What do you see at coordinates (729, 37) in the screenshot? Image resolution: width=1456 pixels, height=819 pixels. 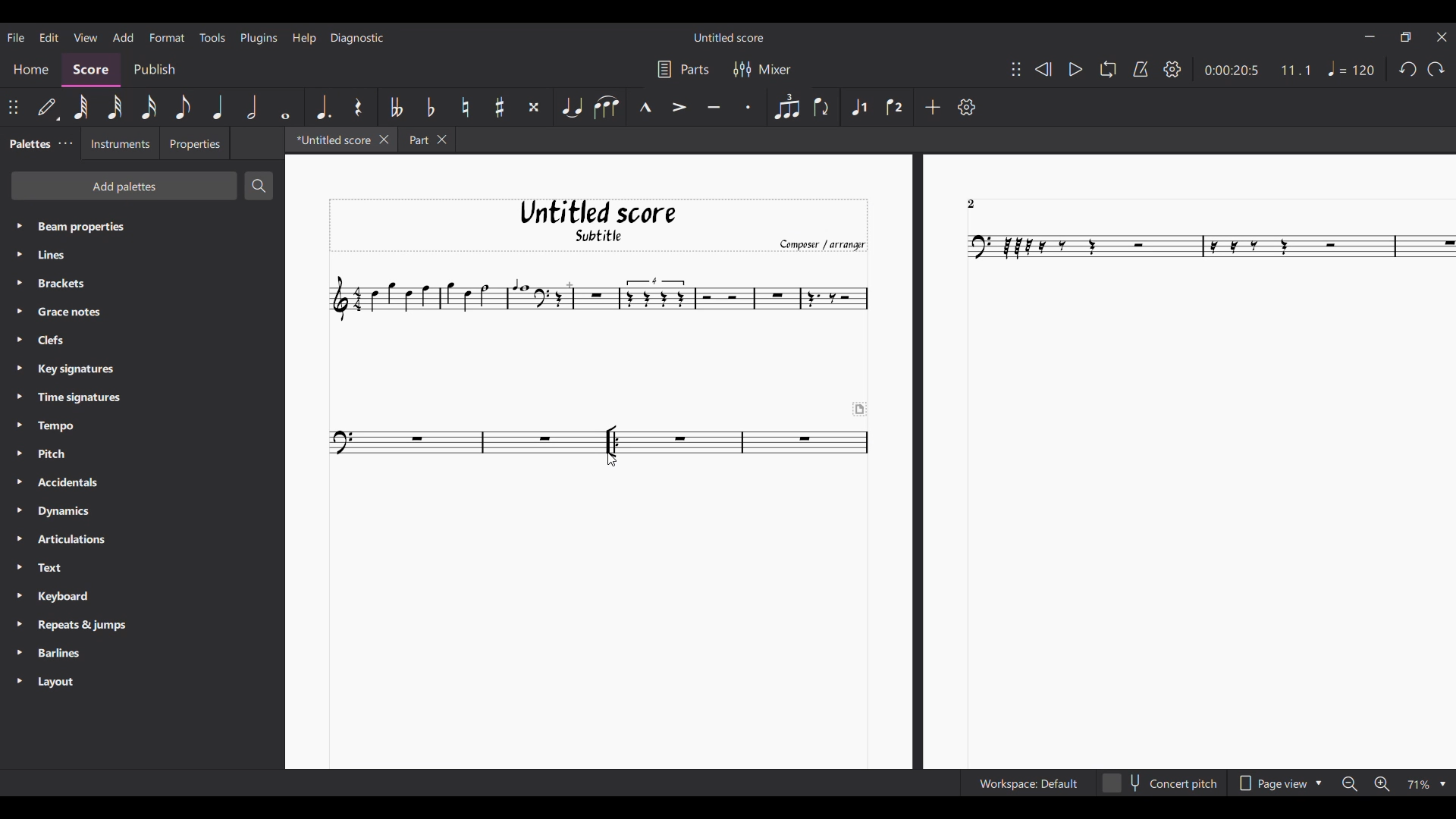 I see `Score title` at bounding box center [729, 37].